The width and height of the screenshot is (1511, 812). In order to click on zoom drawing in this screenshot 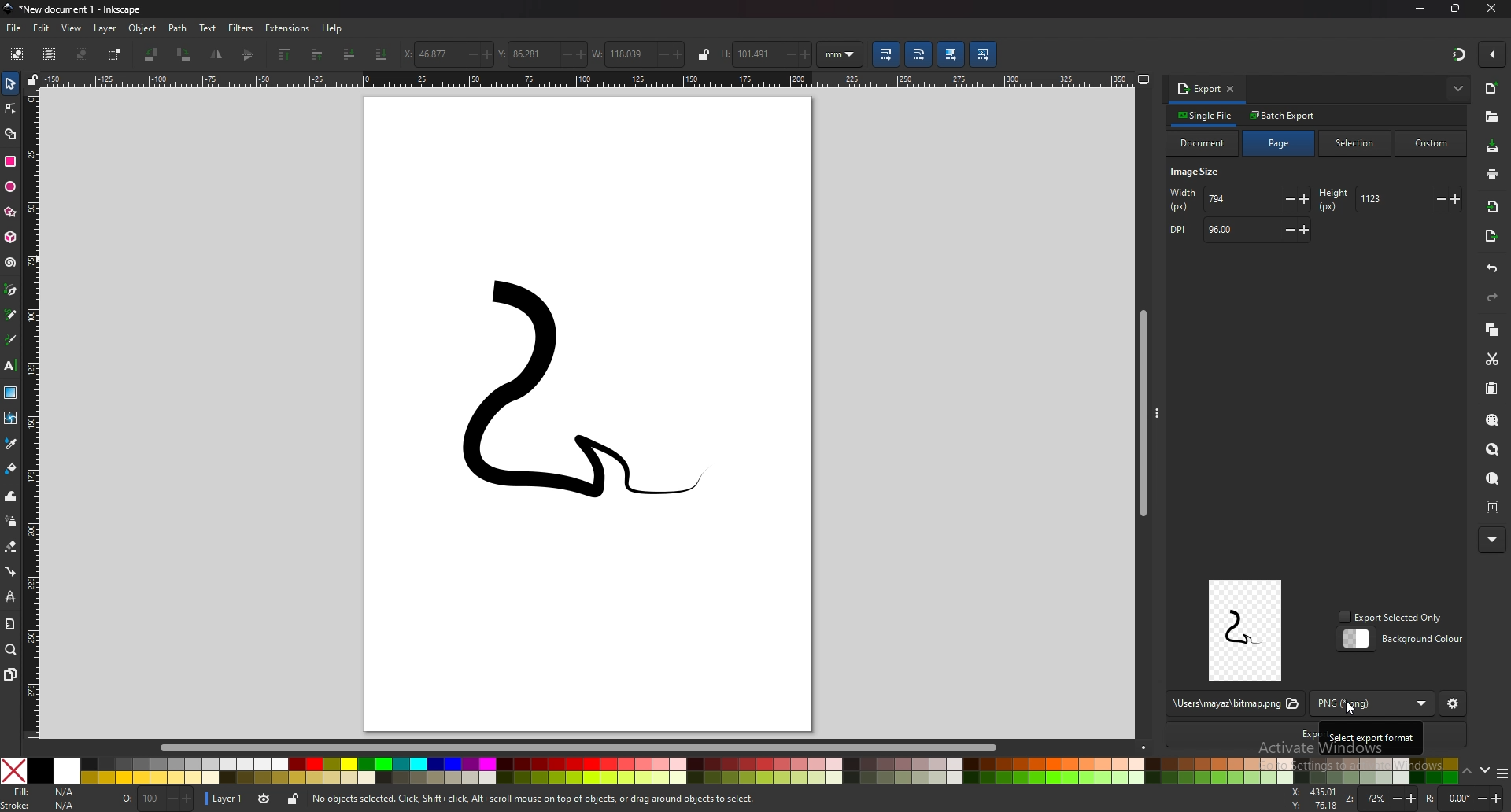, I will do `click(1495, 450)`.